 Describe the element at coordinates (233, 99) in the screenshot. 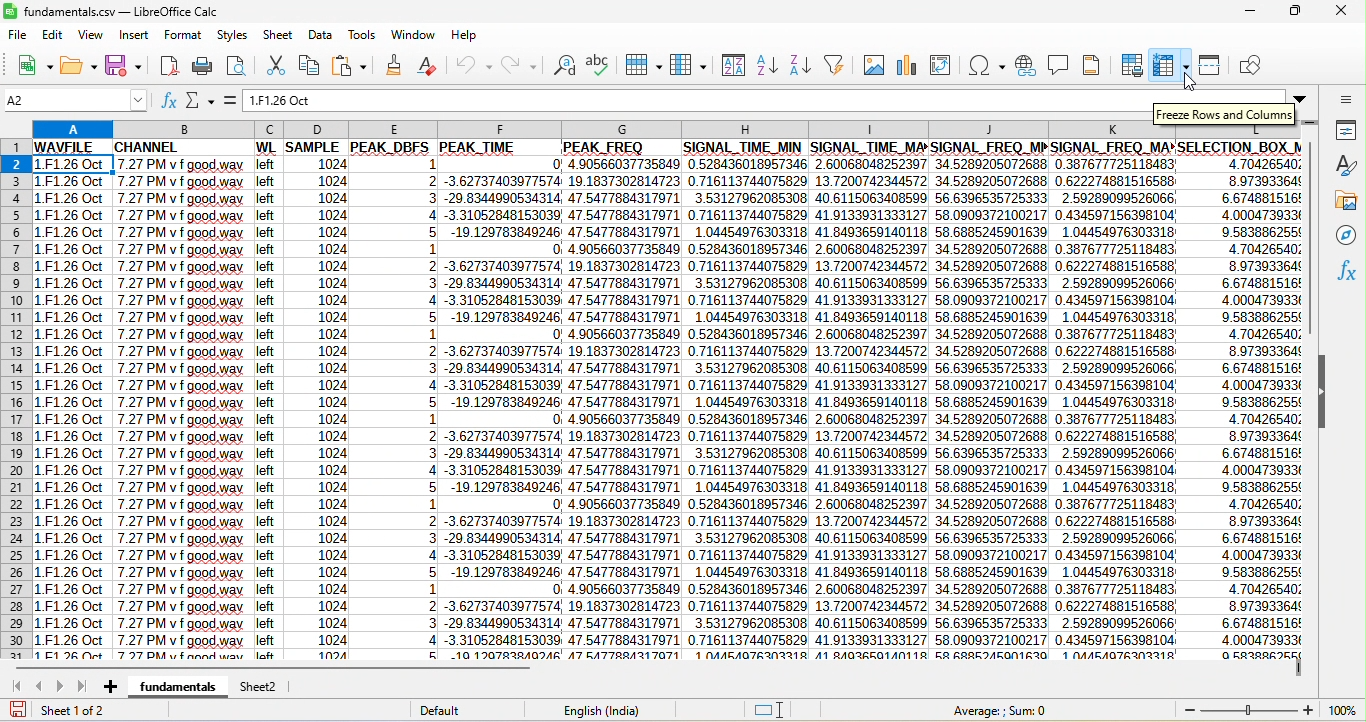

I see `formula` at that location.